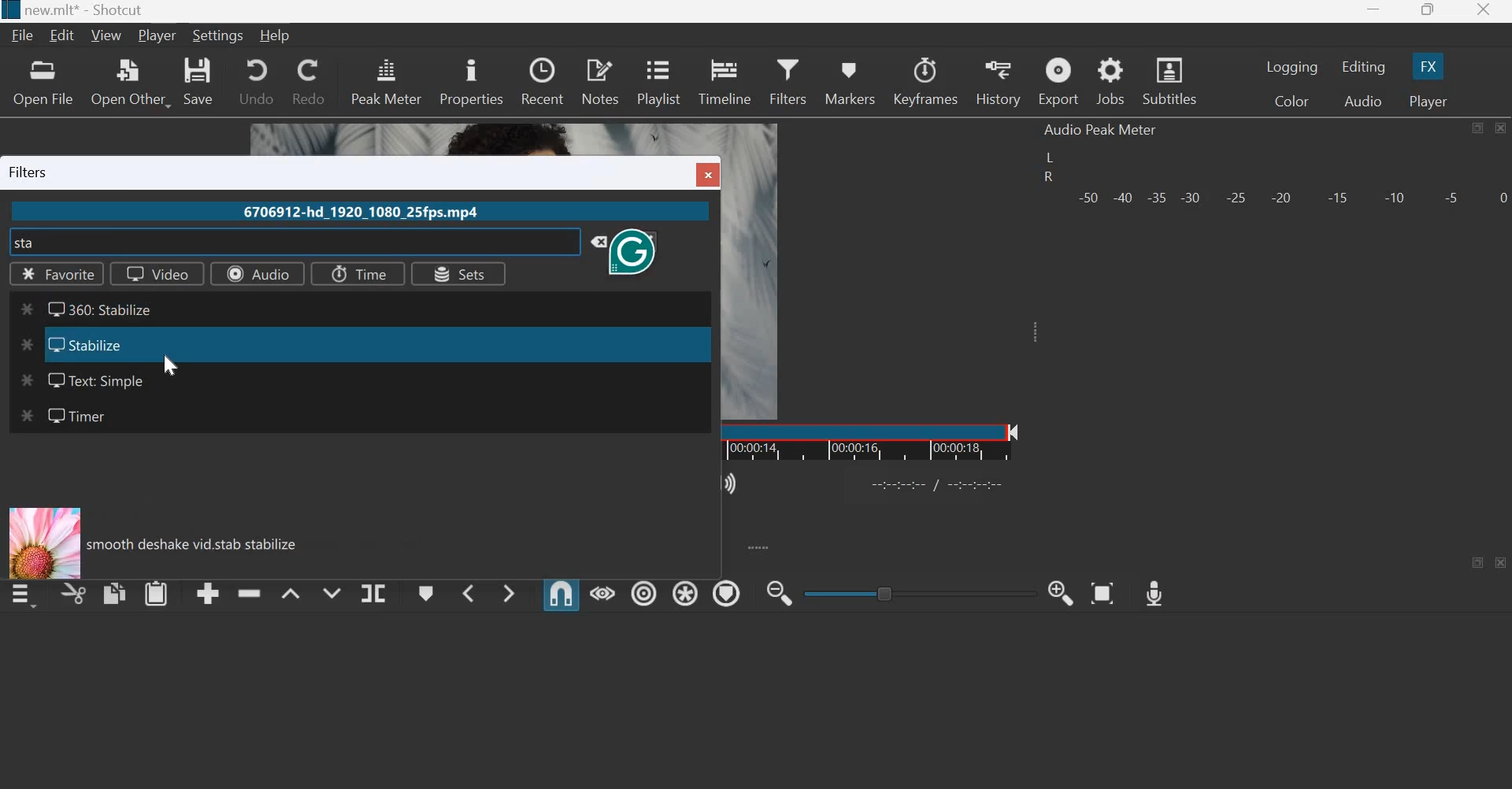  Describe the element at coordinates (365, 212) in the screenshot. I see `mp4 file` at that location.